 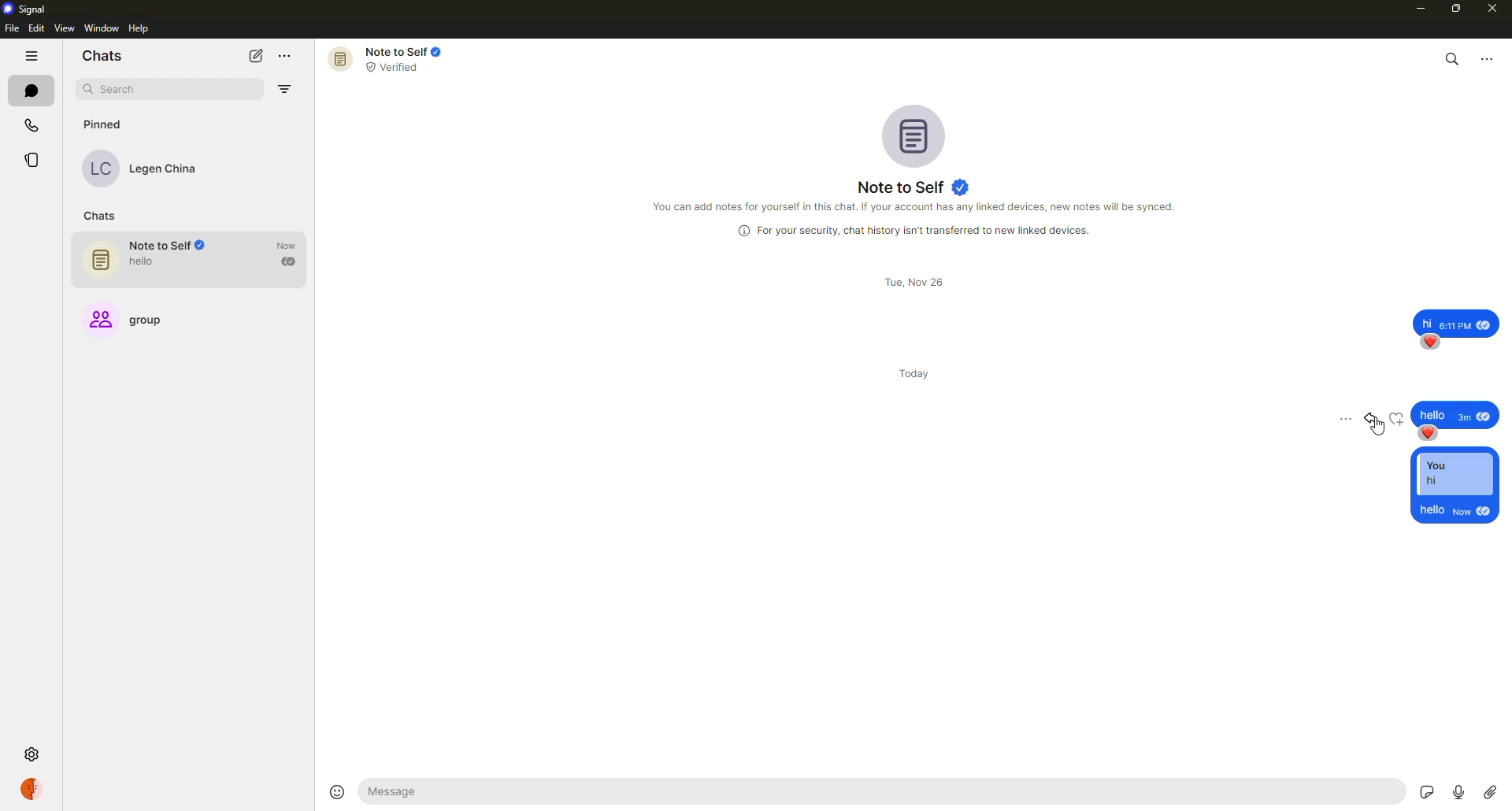 What do you see at coordinates (99, 215) in the screenshot?
I see `chats` at bounding box center [99, 215].